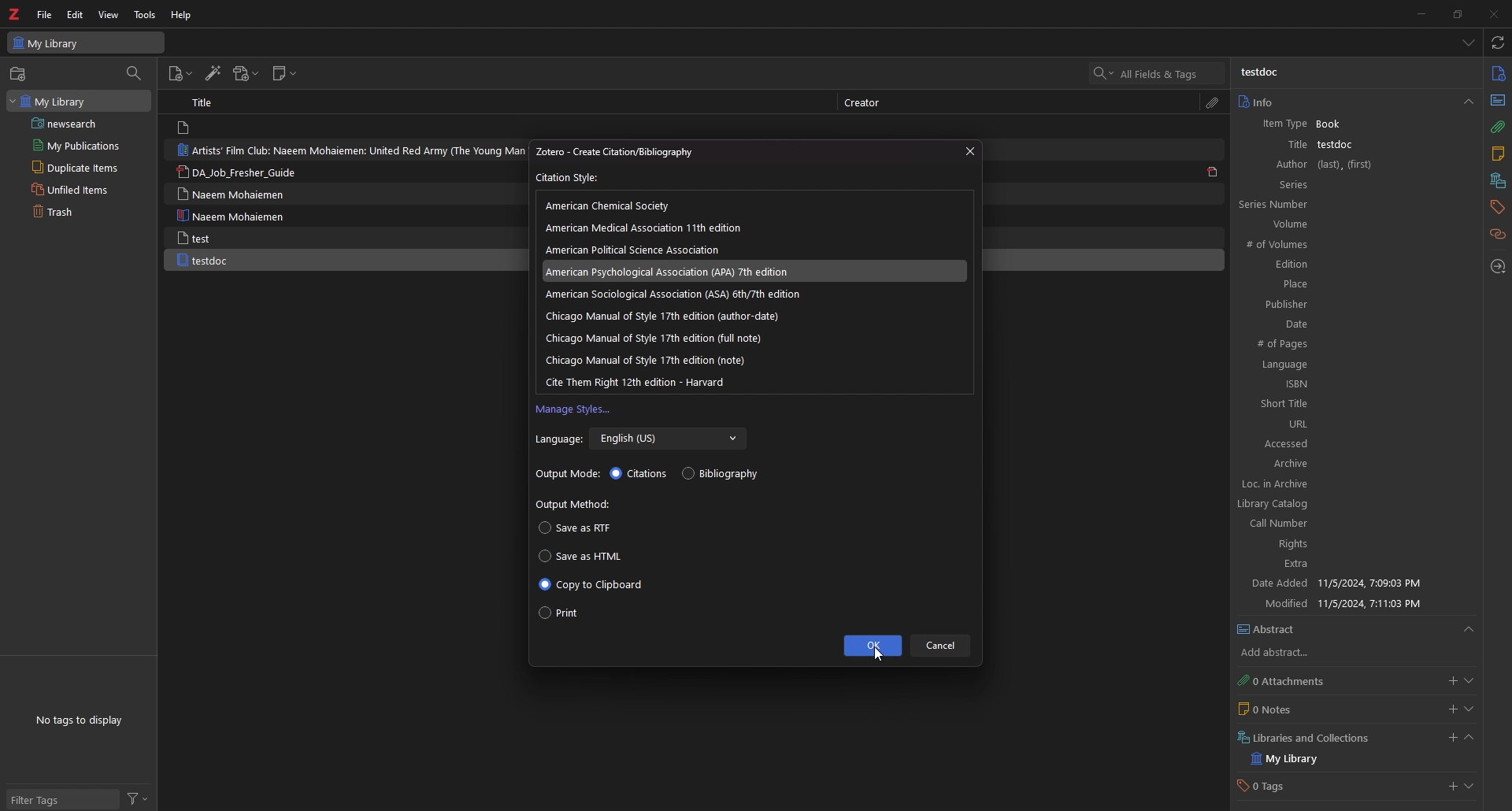 The width and height of the screenshot is (1512, 811). What do you see at coordinates (569, 178) in the screenshot?
I see `Citation Style:` at bounding box center [569, 178].